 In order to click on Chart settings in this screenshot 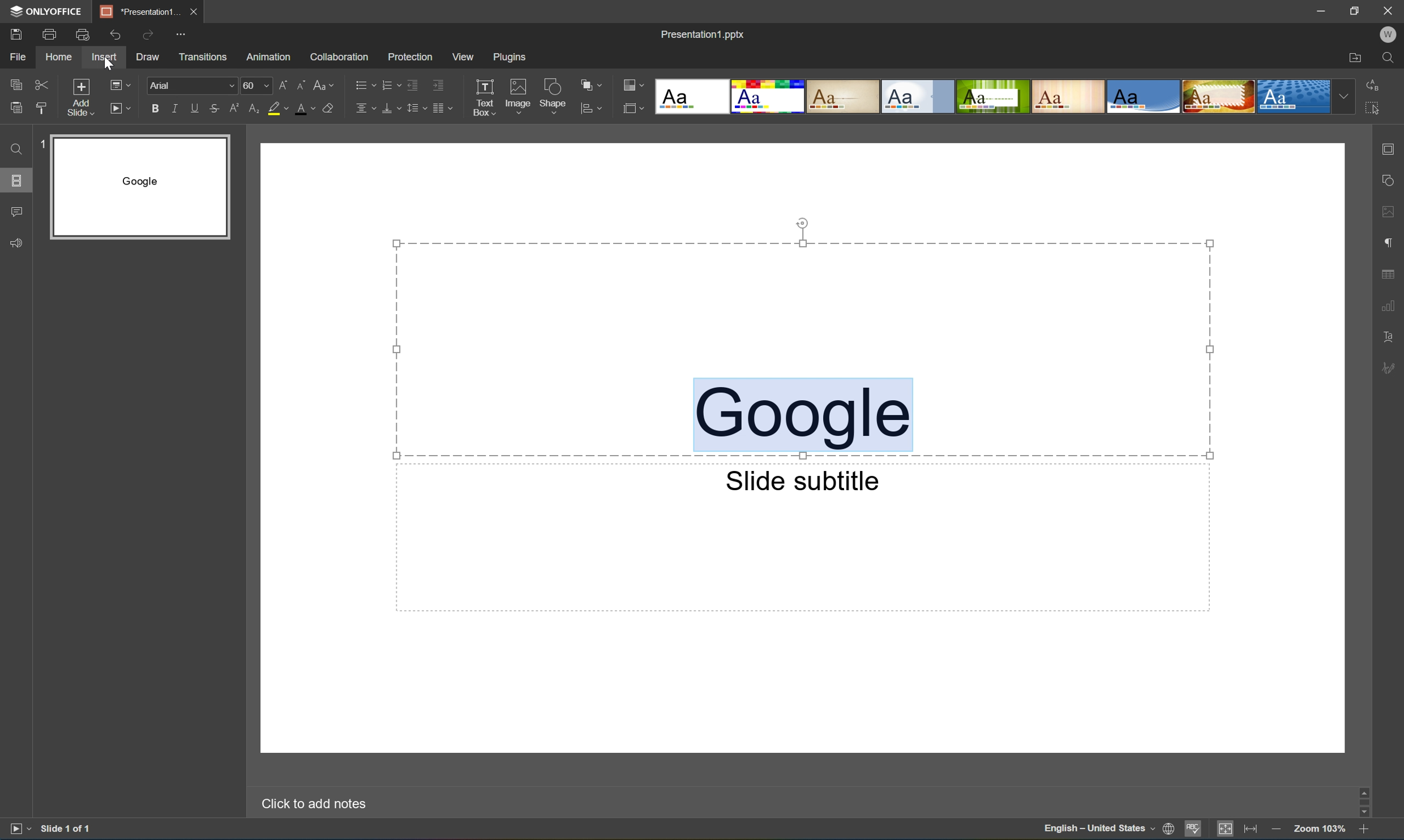, I will do `click(1388, 306)`.